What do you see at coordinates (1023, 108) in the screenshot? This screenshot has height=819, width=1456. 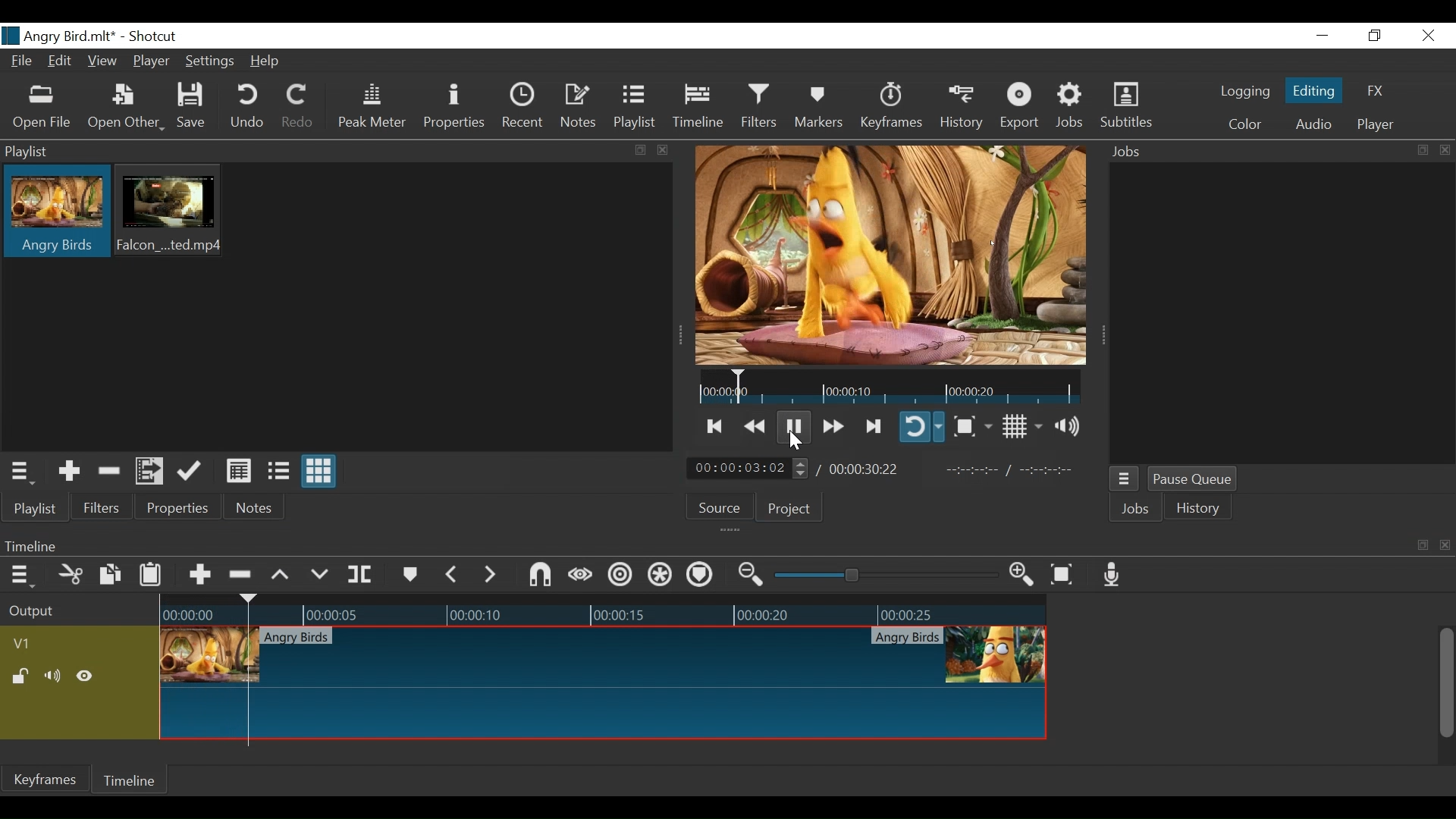 I see `Export` at bounding box center [1023, 108].